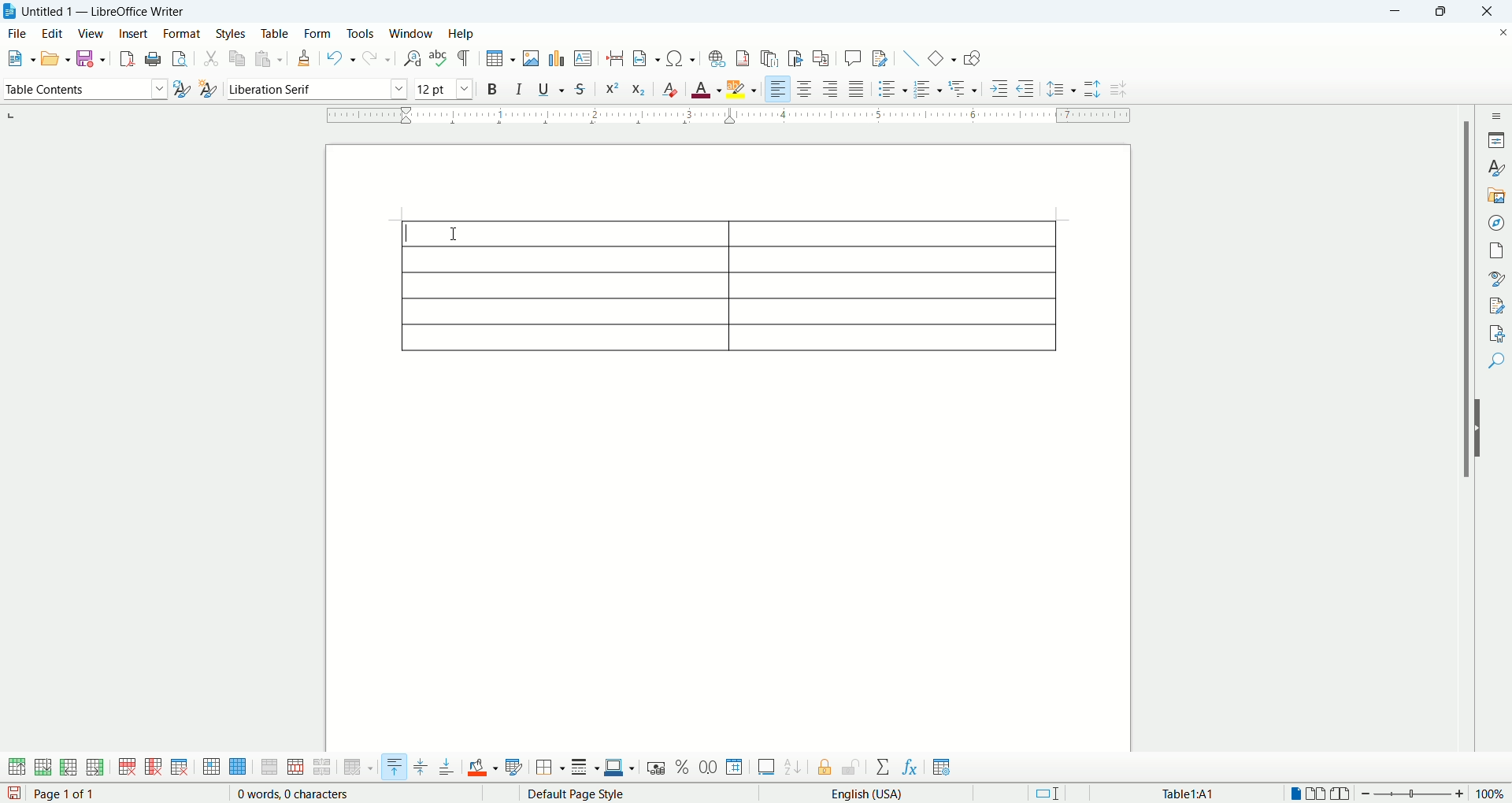 The height and width of the screenshot is (803, 1512). Describe the element at coordinates (514, 768) in the screenshot. I see `autoformat styles` at that location.